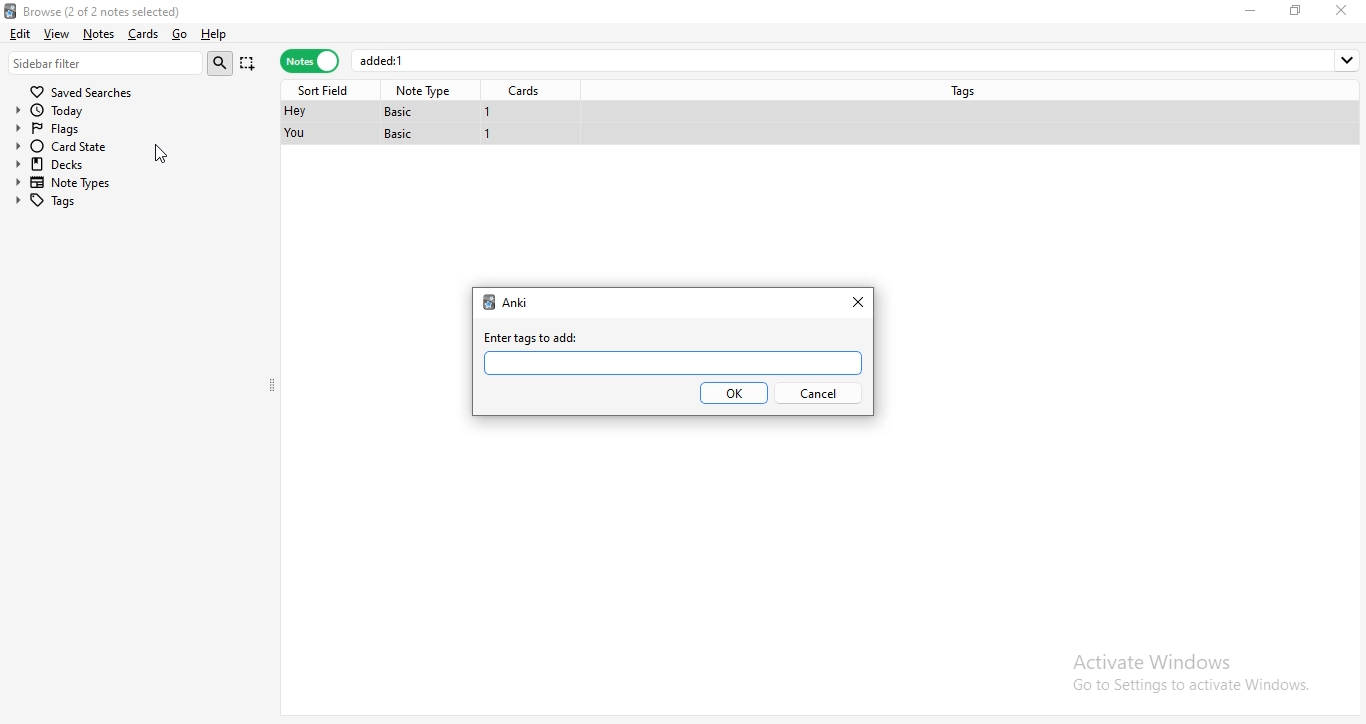 The height and width of the screenshot is (724, 1366). Describe the element at coordinates (131, 9) in the screenshot. I see `browse` at that location.